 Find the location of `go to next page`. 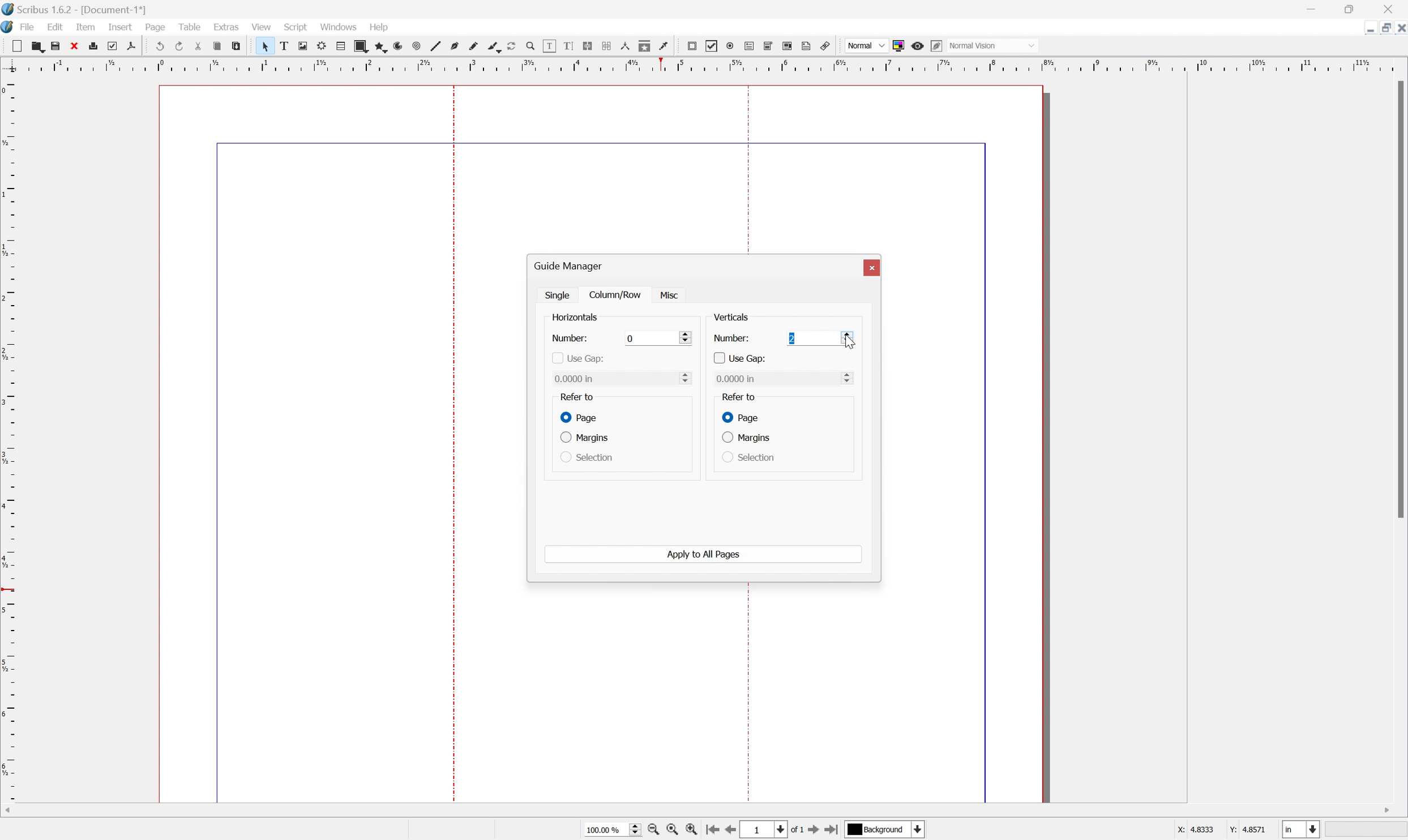

go to next page is located at coordinates (811, 832).